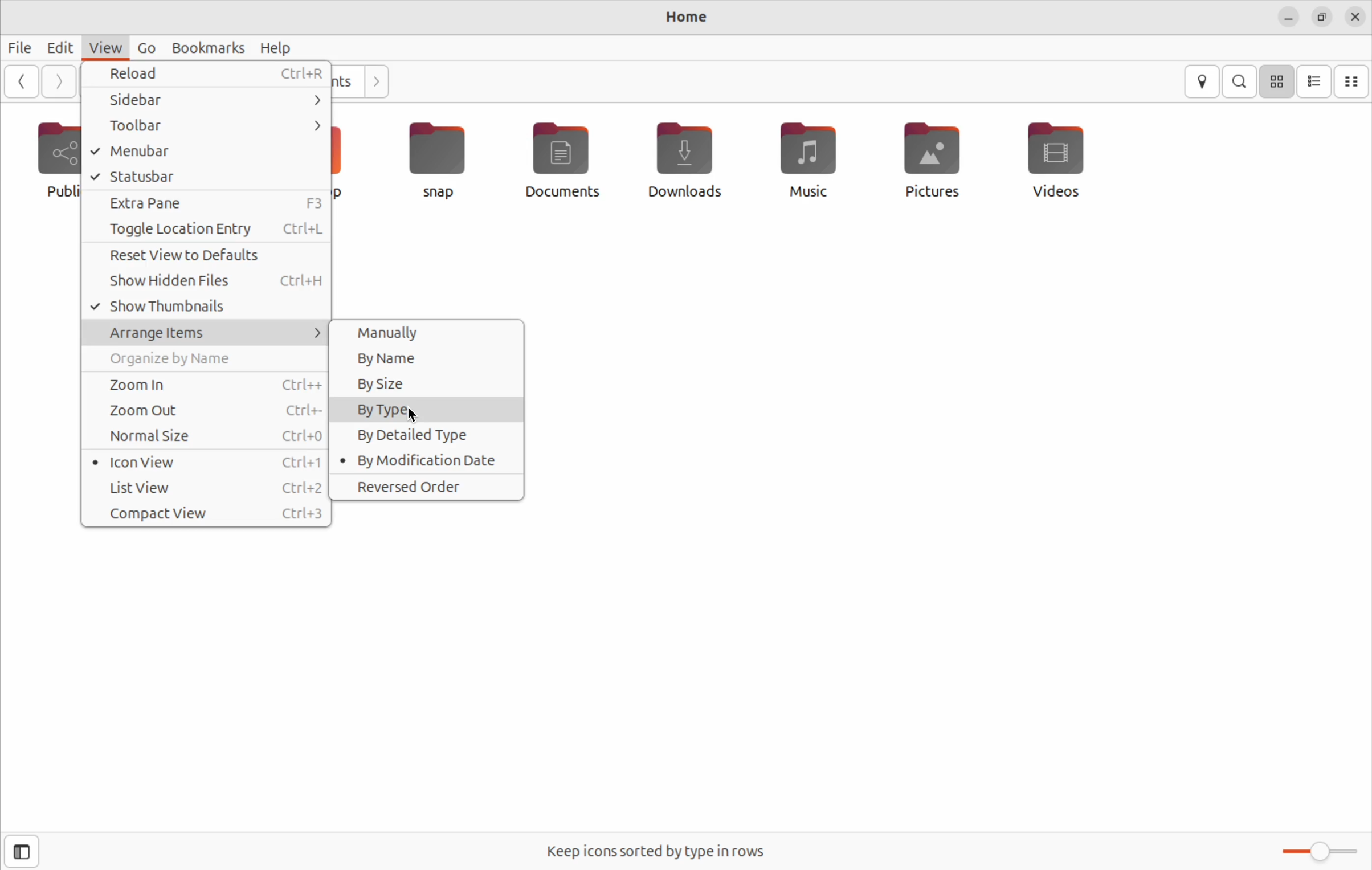  I want to click on Home, so click(687, 19).